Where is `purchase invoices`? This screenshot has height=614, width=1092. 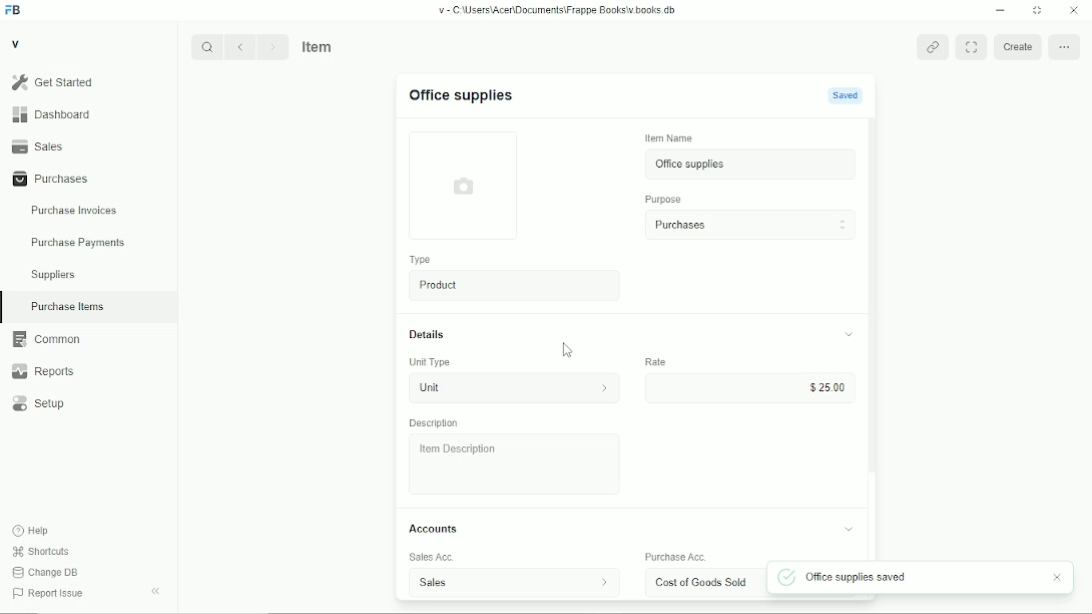
purchase invoices is located at coordinates (74, 211).